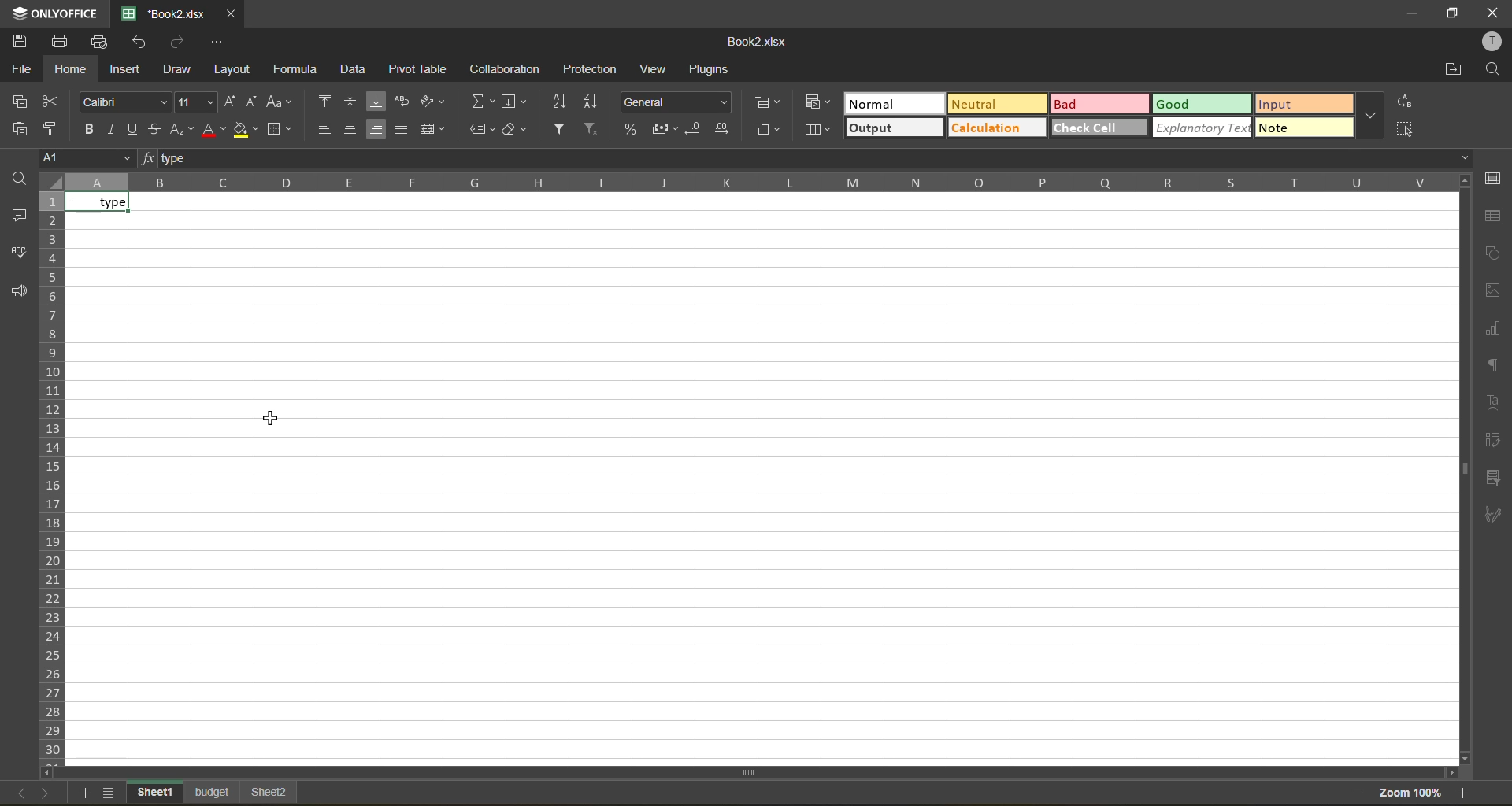 The image size is (1512, 806). I want to click on pivot table, so click(418, 68).